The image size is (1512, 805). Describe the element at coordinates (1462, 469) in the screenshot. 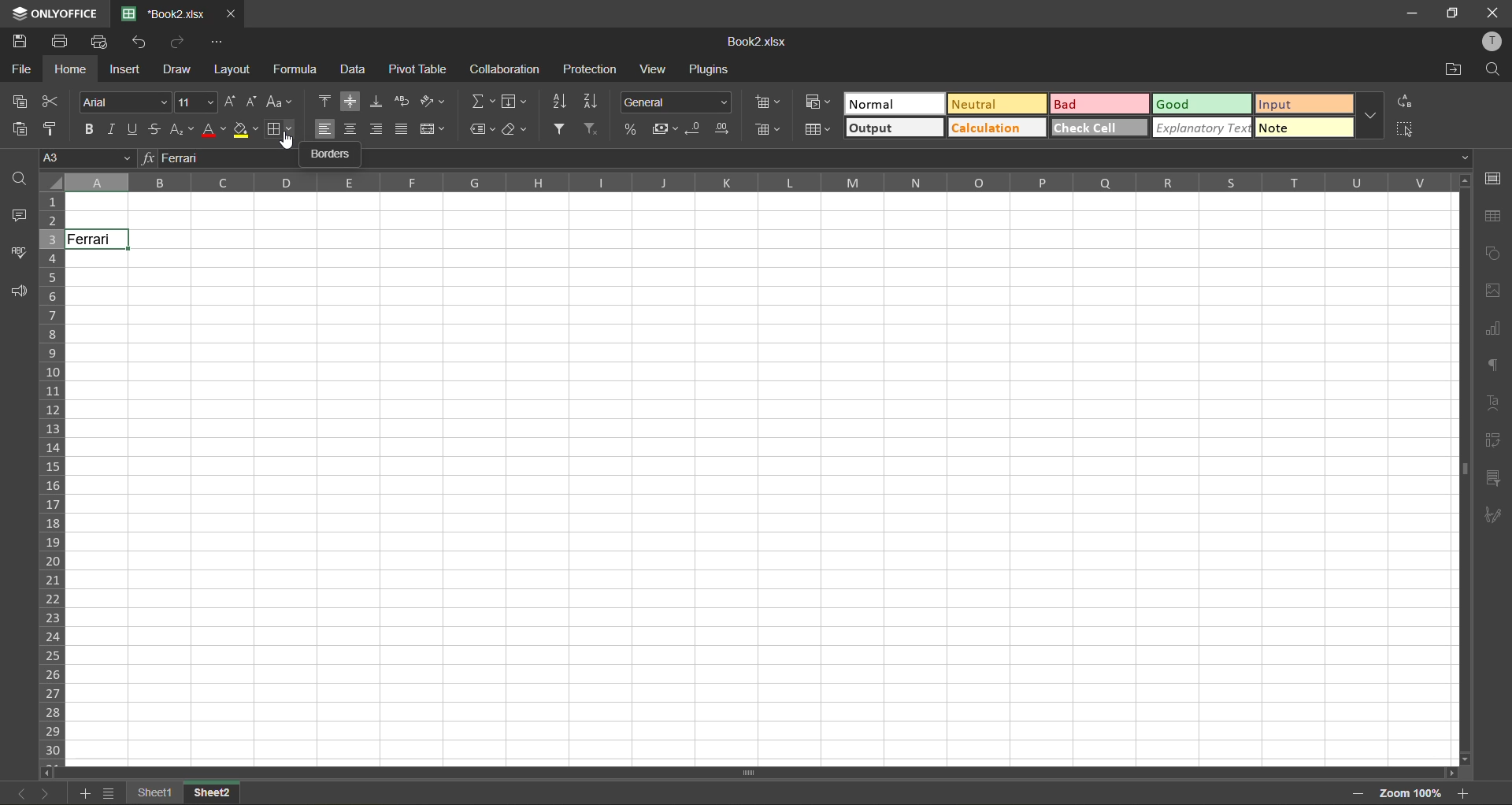

I see `vertical scrollbar` at that location.